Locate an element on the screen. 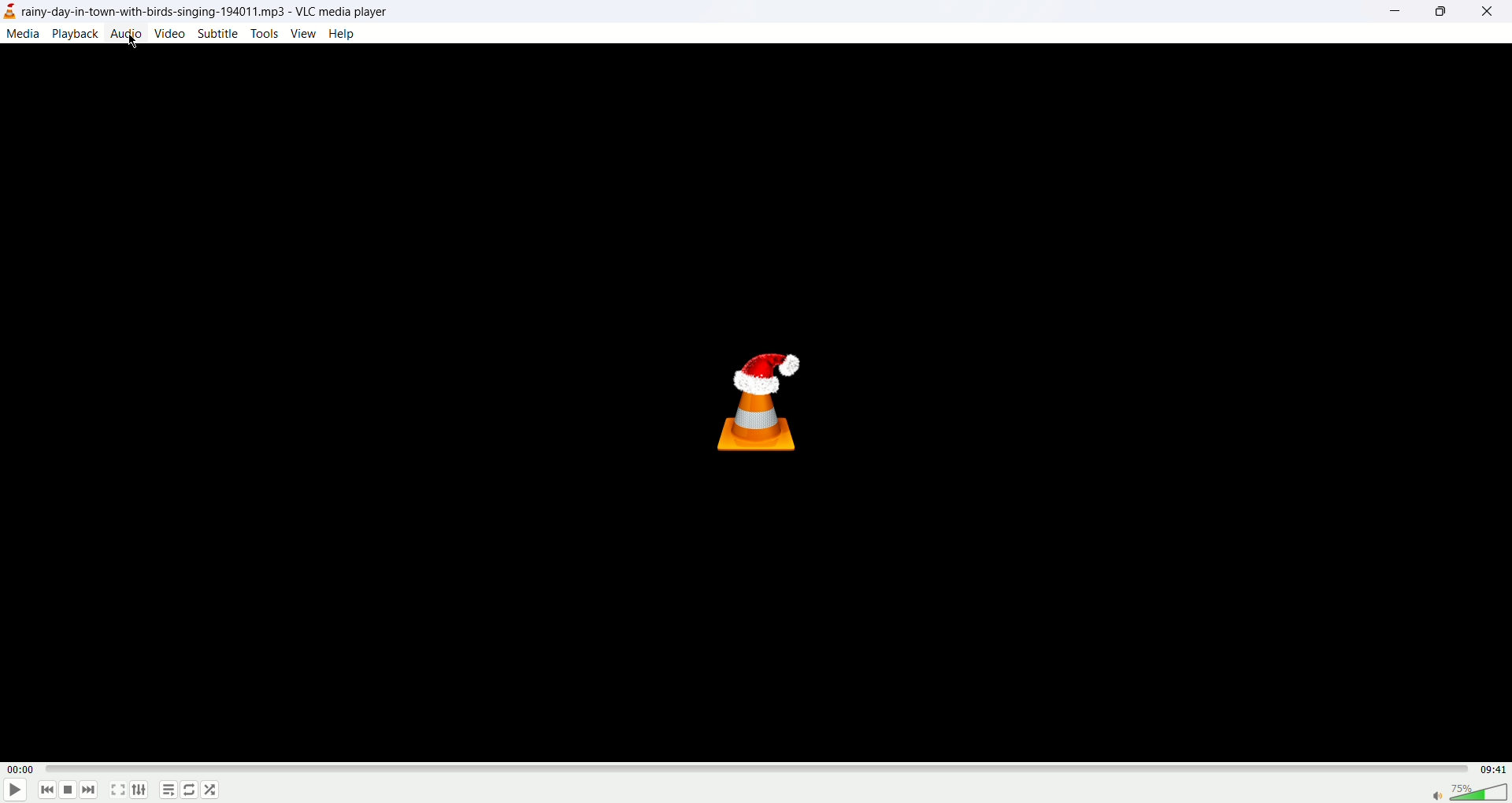  next is located at coordinates (91, 790).